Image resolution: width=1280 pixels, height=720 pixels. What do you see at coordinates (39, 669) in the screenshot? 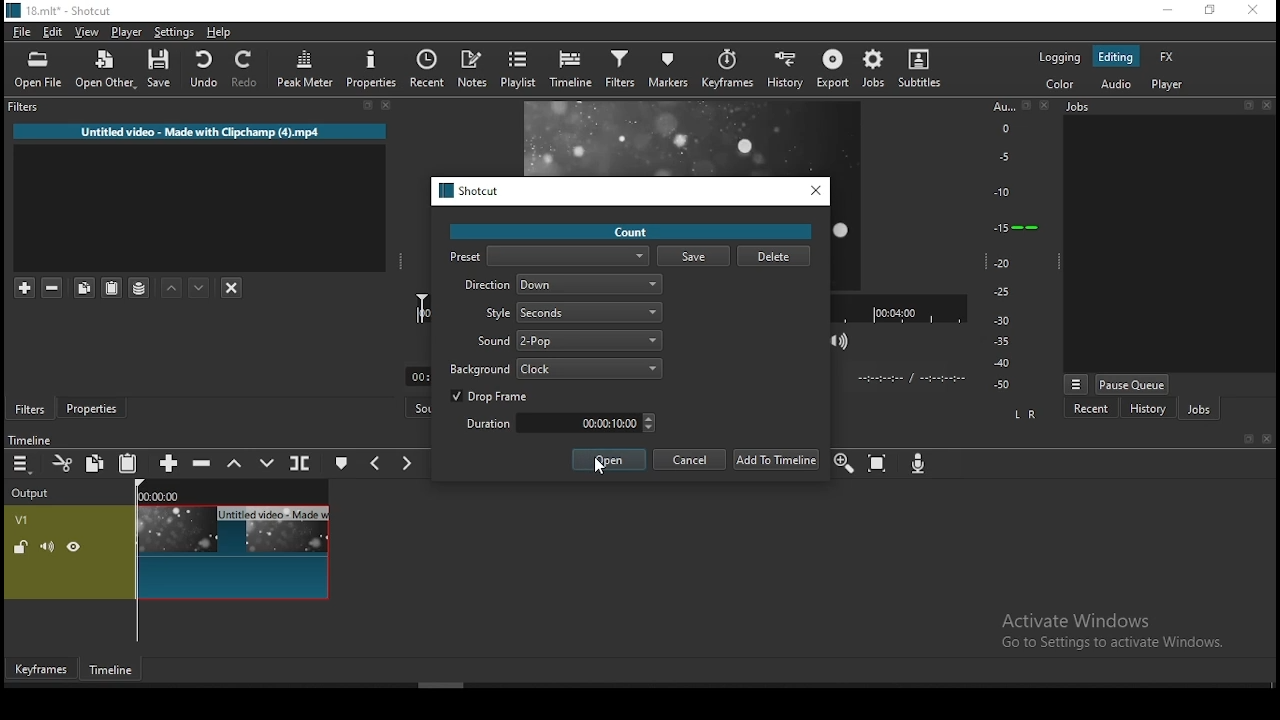
I see `Keyframes` at bounding box center [39, 669].